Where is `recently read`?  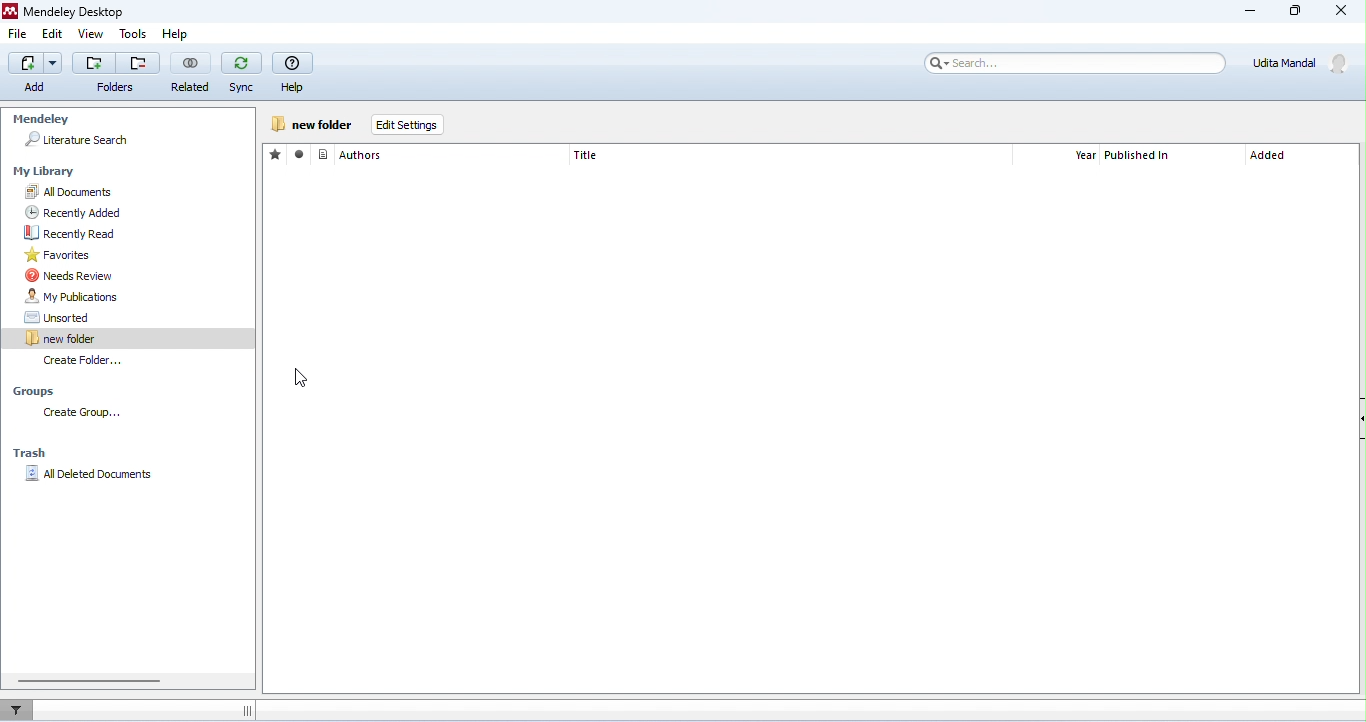
recently read is located at coordinates (138, 233).